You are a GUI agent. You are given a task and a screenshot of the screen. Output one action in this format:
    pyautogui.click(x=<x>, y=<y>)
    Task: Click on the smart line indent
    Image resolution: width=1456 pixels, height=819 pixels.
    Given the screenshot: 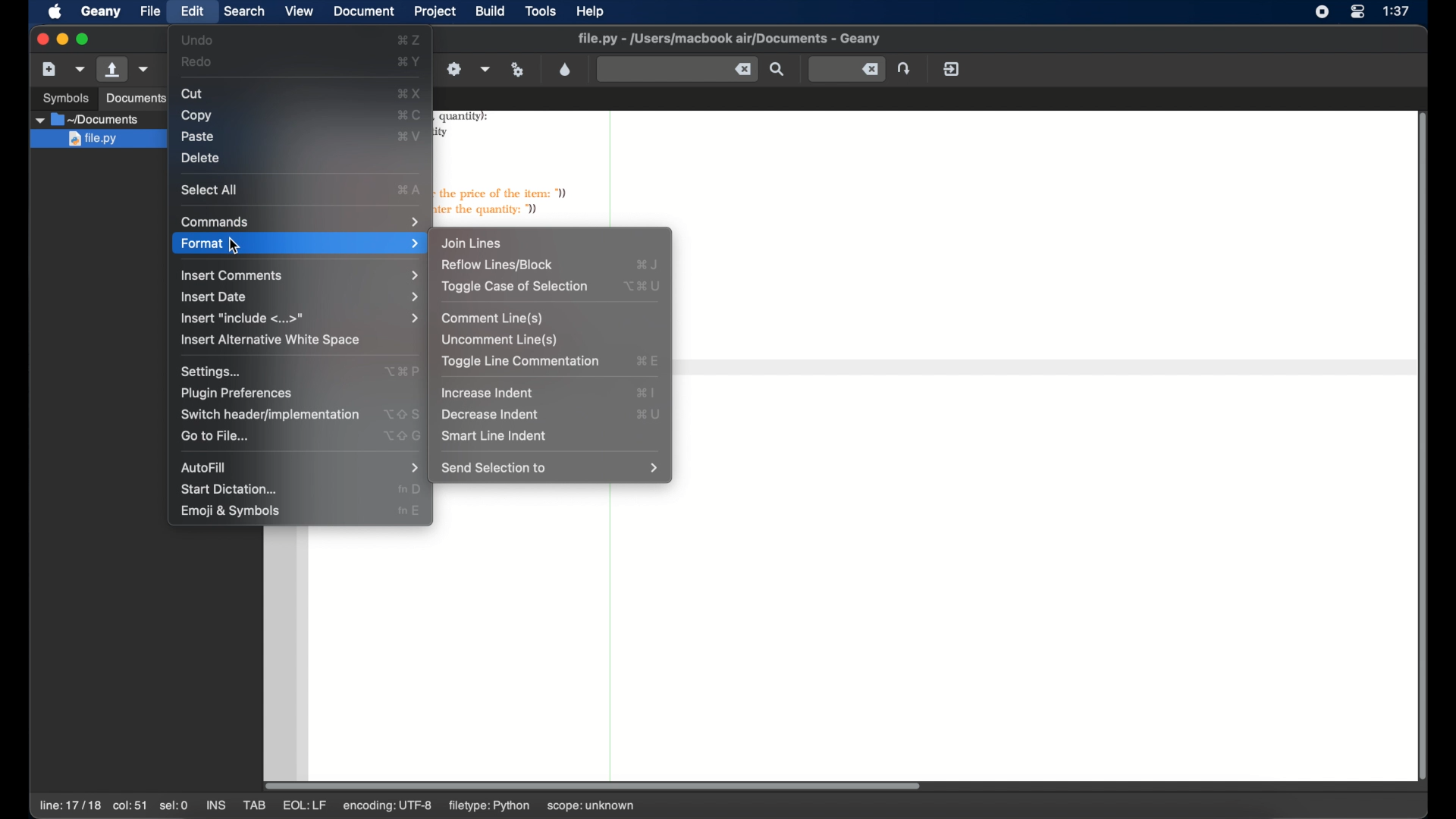 What is the action you would take?
    pyautogui.click(x=494, y=436)
    